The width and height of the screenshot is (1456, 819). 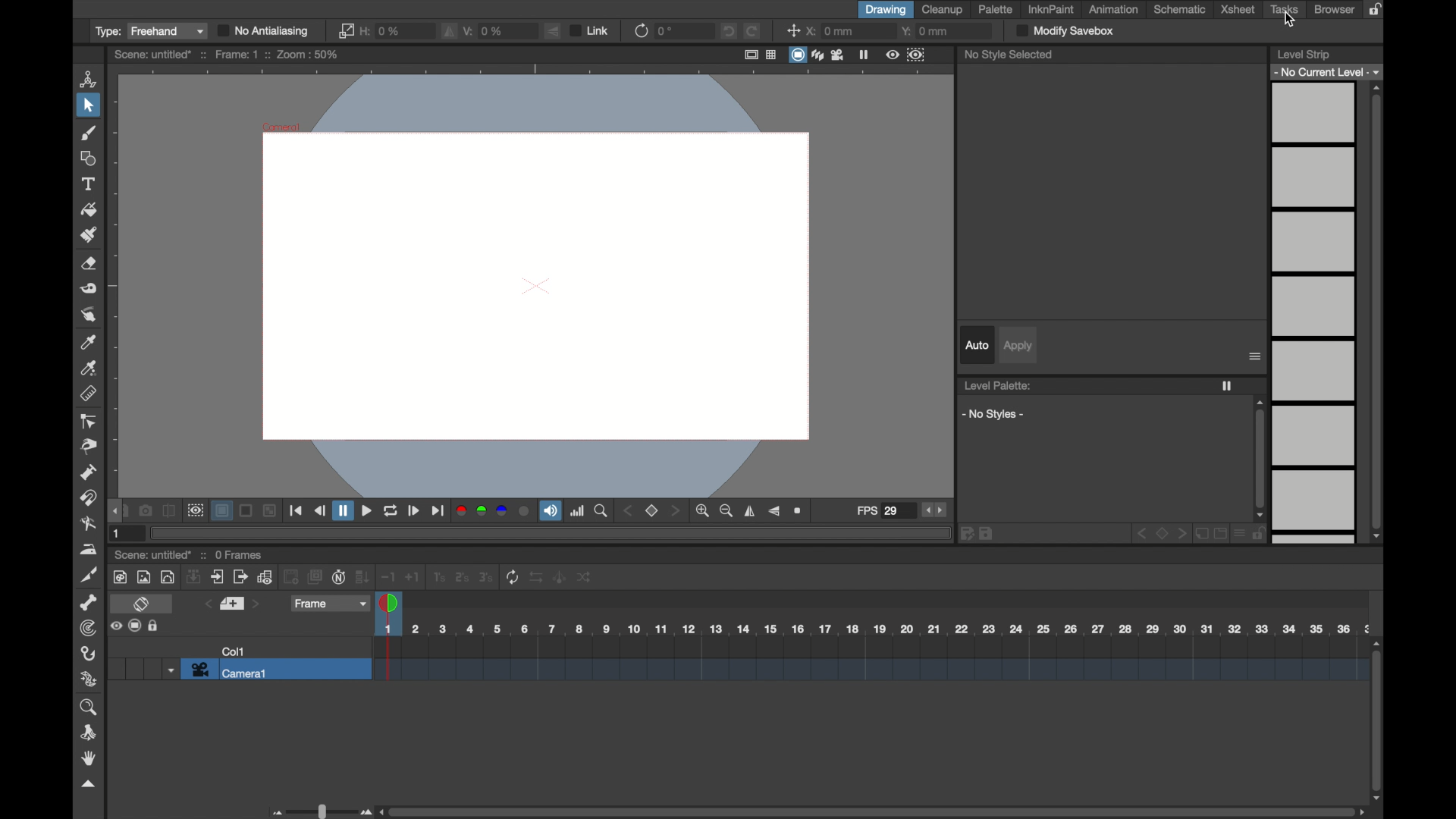 What do you see at coordinates (89, 445) in the screenshot?
I see `pinch tool` at bounding box center [89, 445].